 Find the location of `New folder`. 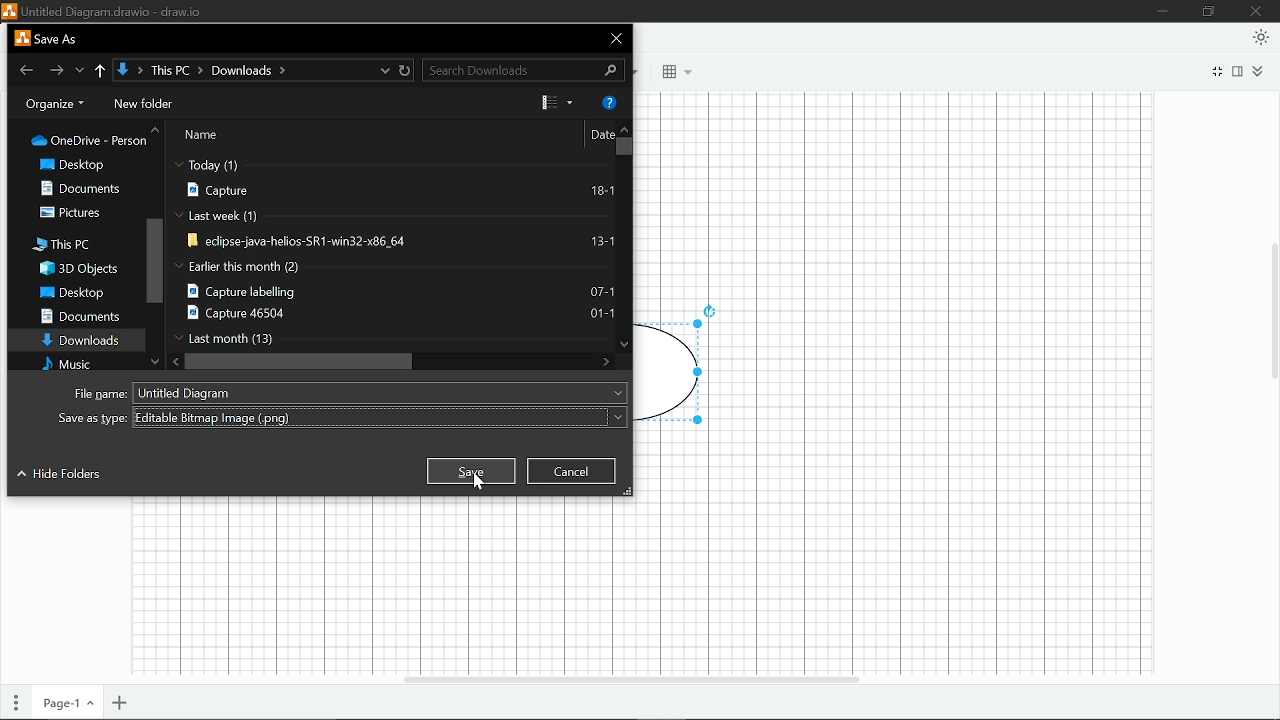

New folder is located at coordinates (143, 104).